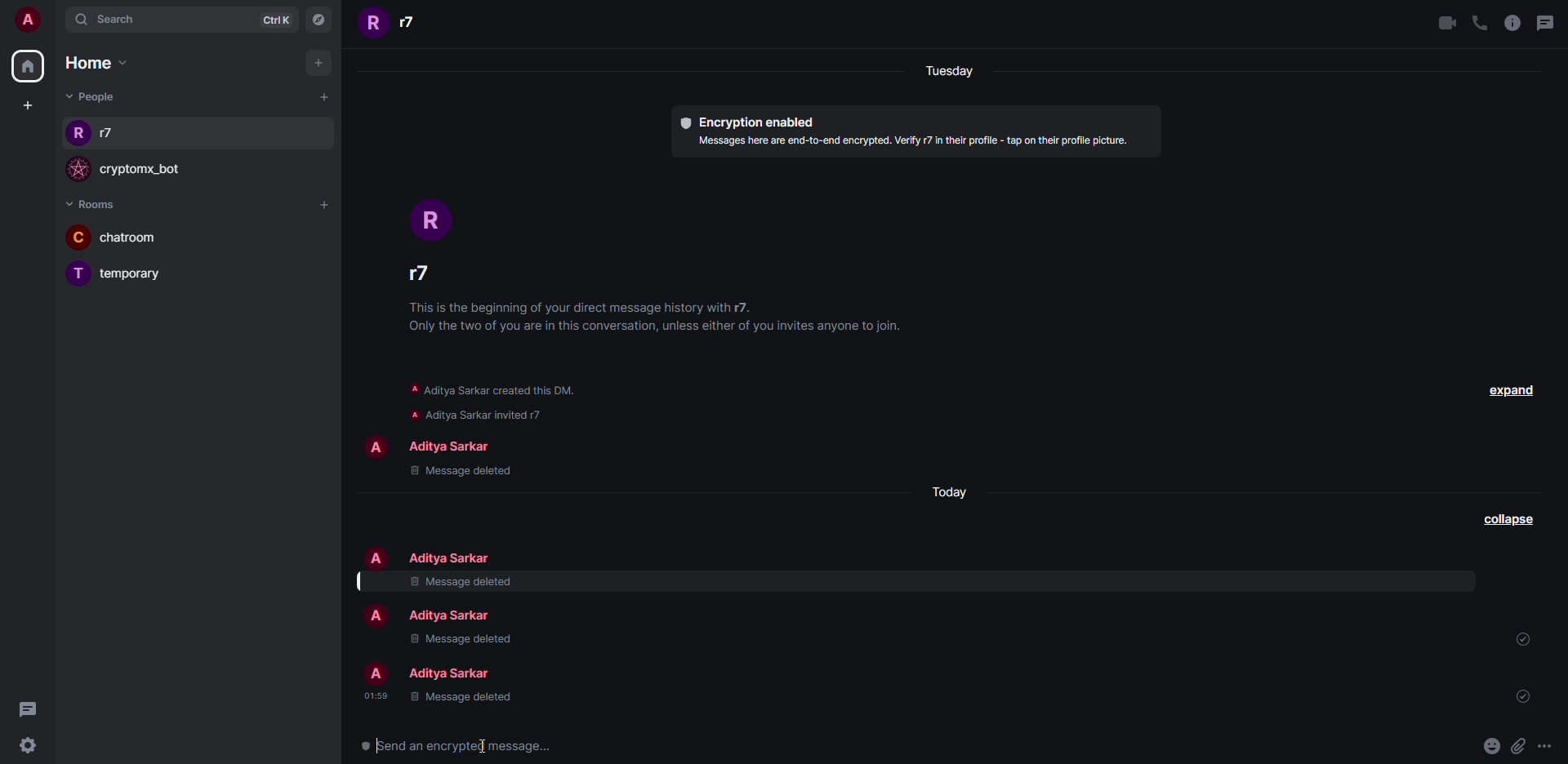  Describe the element at coordinates (504, 399) in the screenshot. I see `info` at that location.